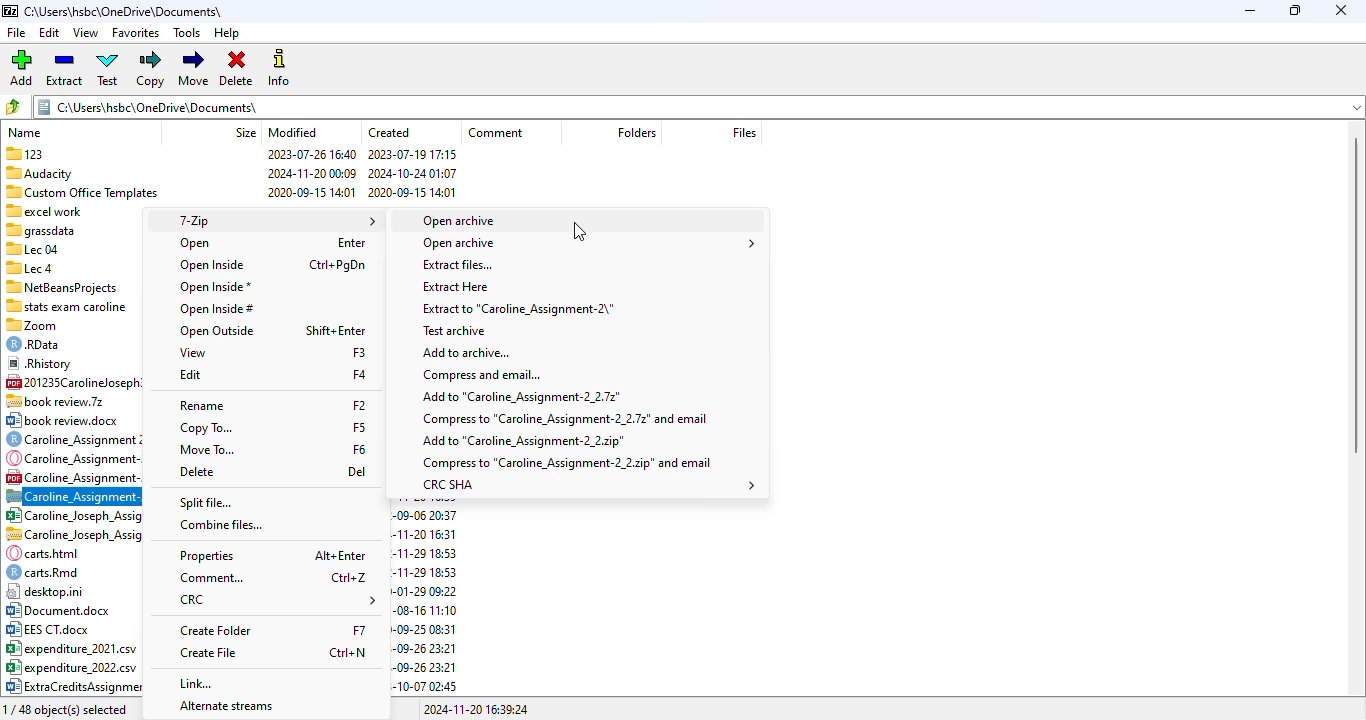  What do you see at coordinates (196, 472) in the screenshot?
I see `delete` at bounding box center [196, 472].